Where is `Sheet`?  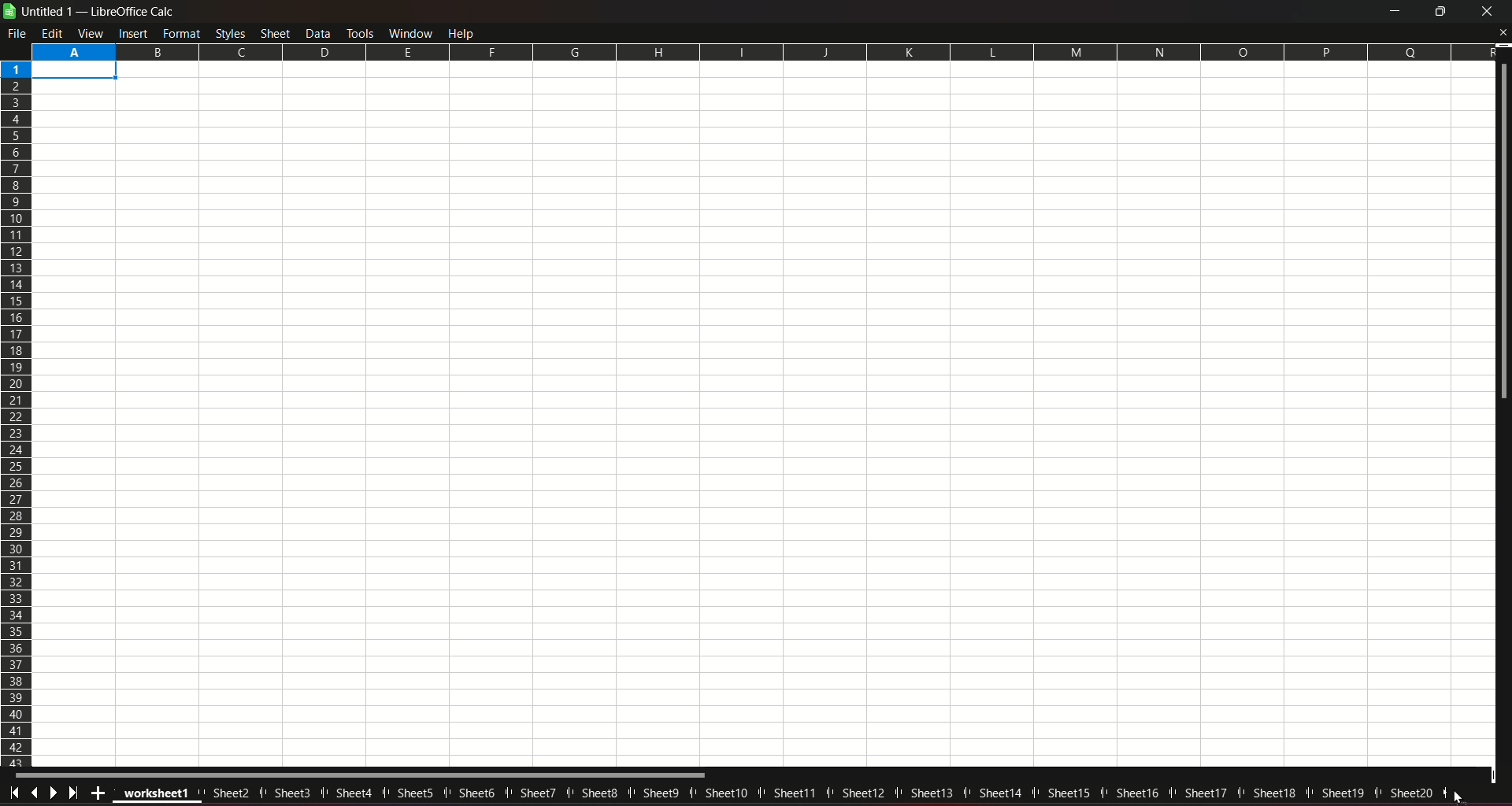
Sheet is located at coordinates (276, 32).